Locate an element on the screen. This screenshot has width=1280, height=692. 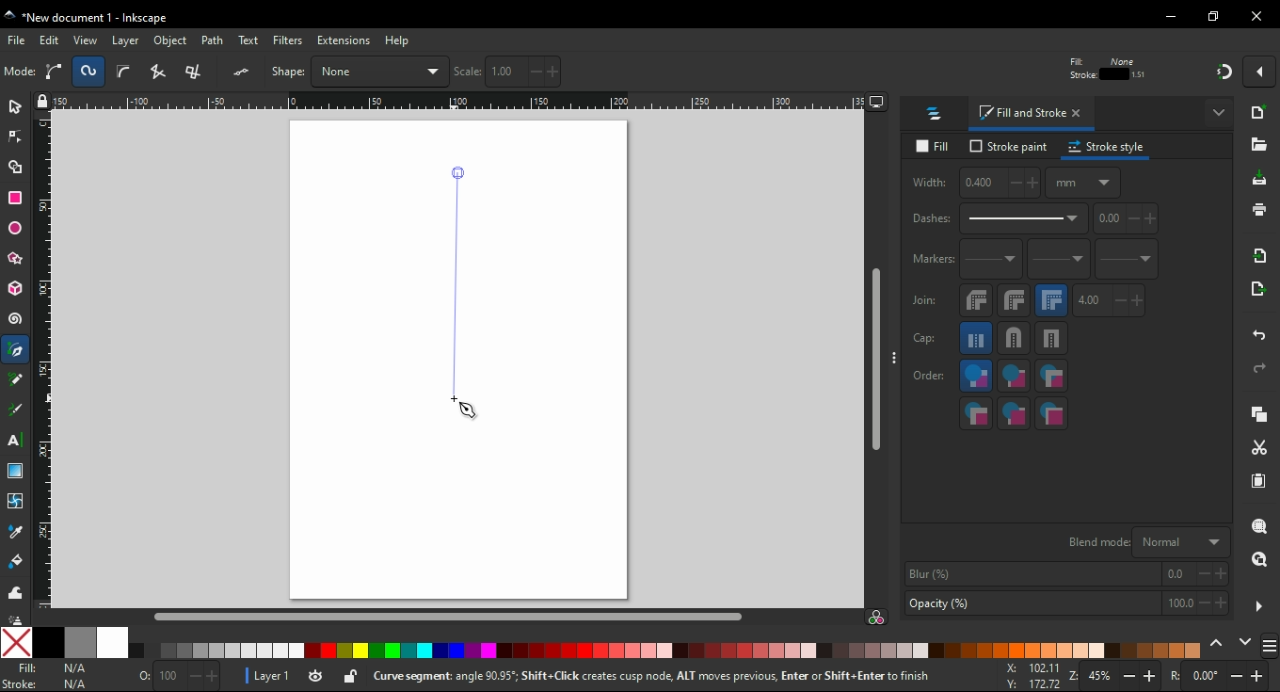
rectangle tool is located at coordinates (16, 197).